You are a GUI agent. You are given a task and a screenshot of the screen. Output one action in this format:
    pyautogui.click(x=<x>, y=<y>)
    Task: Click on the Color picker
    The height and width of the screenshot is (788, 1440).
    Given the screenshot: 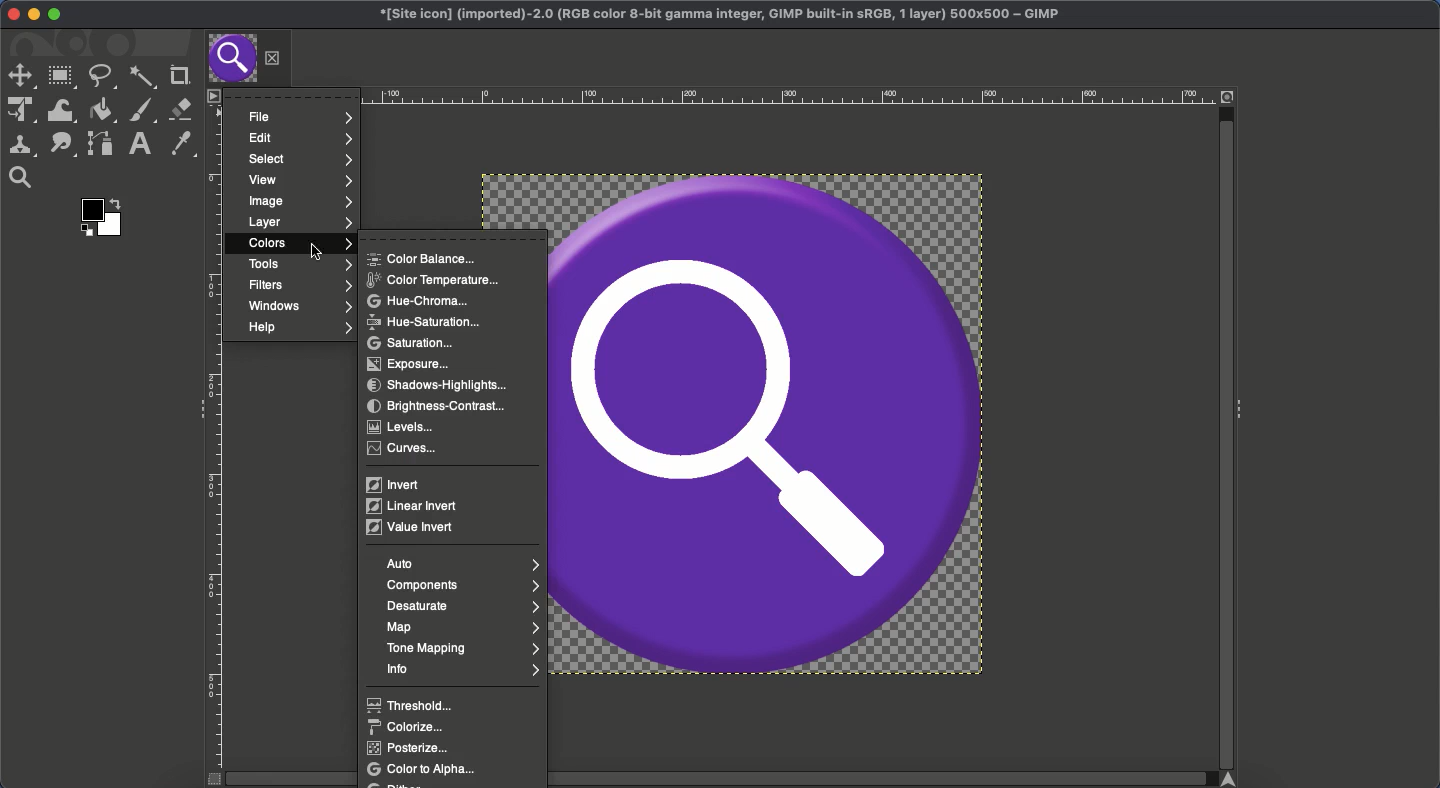 What is the action you would take?
    pyautogui.click(x=180, y=144)
    